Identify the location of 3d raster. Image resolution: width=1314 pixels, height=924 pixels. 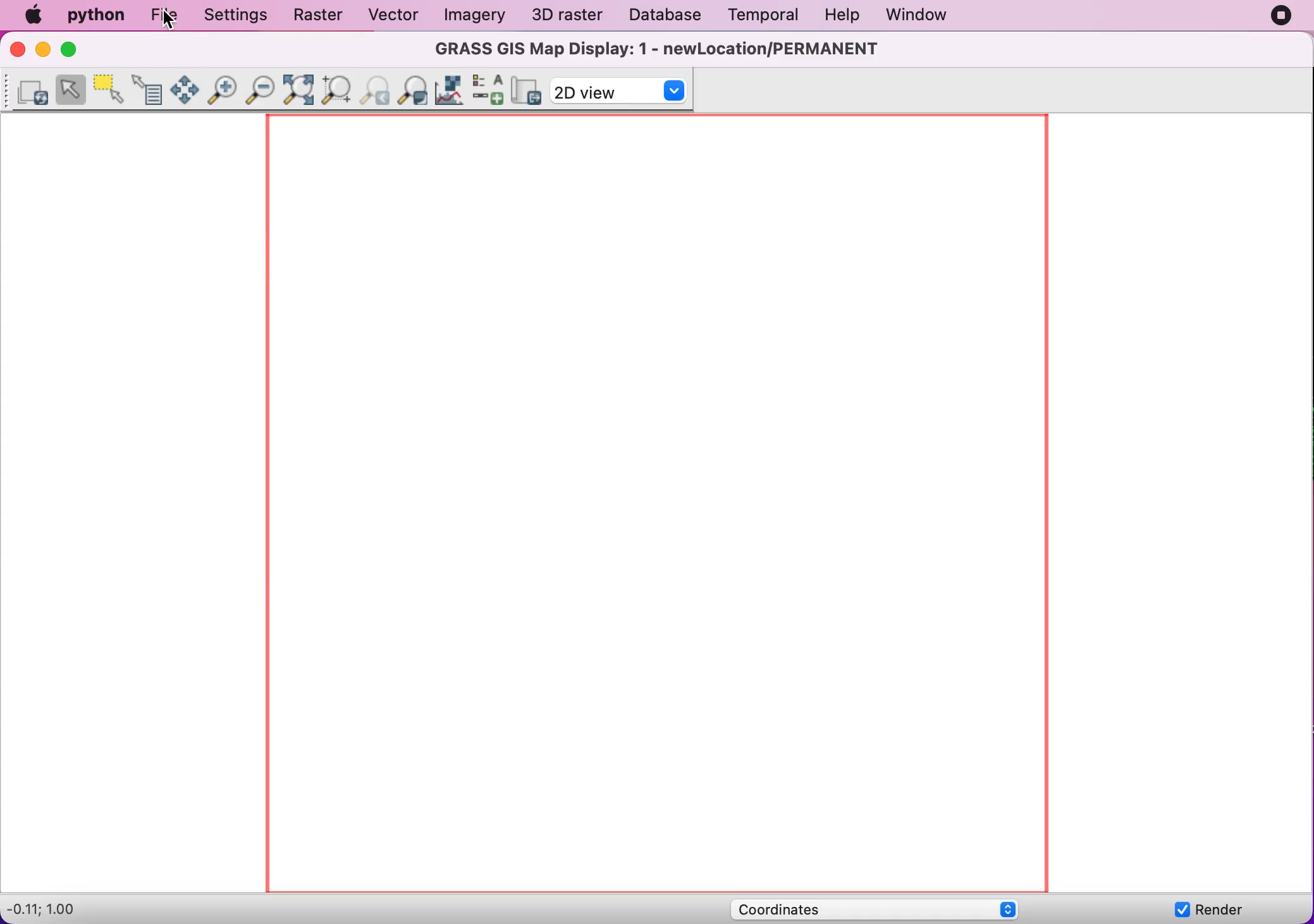
(568, 15).